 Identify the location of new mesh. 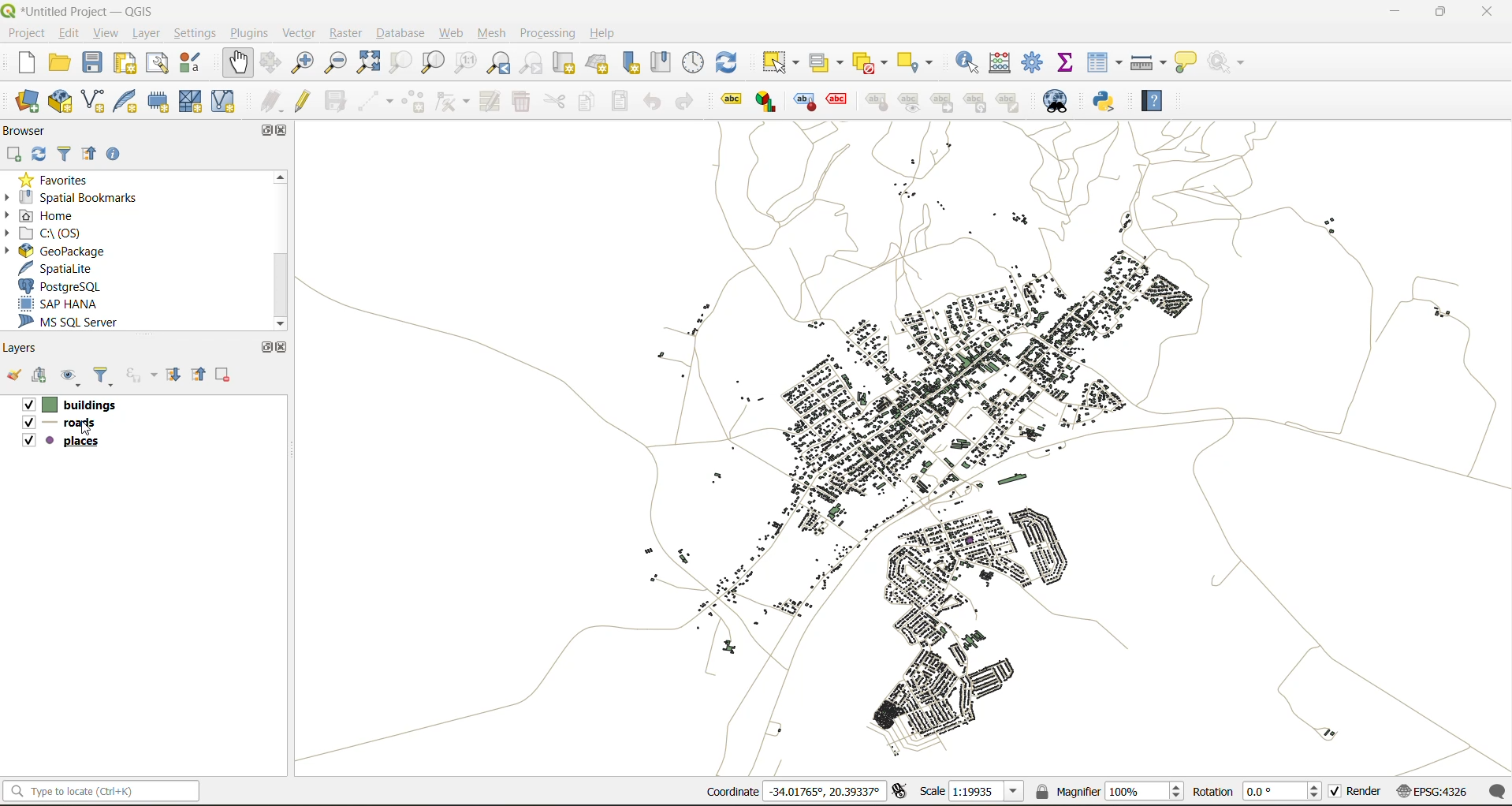
(193, 102).